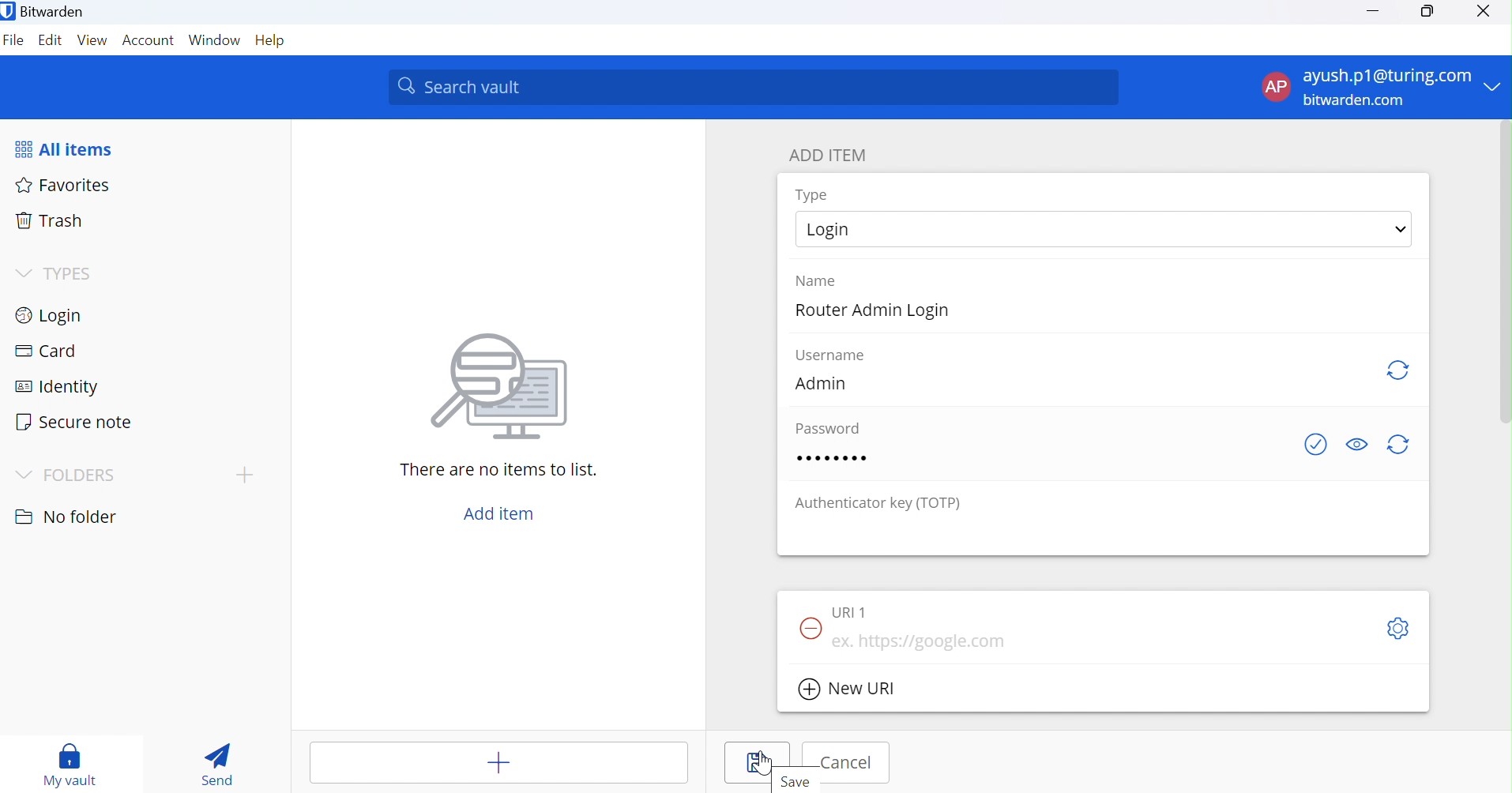 This screenshot has width=1512, height=793. I want to click on Close, so click(1485, 12).